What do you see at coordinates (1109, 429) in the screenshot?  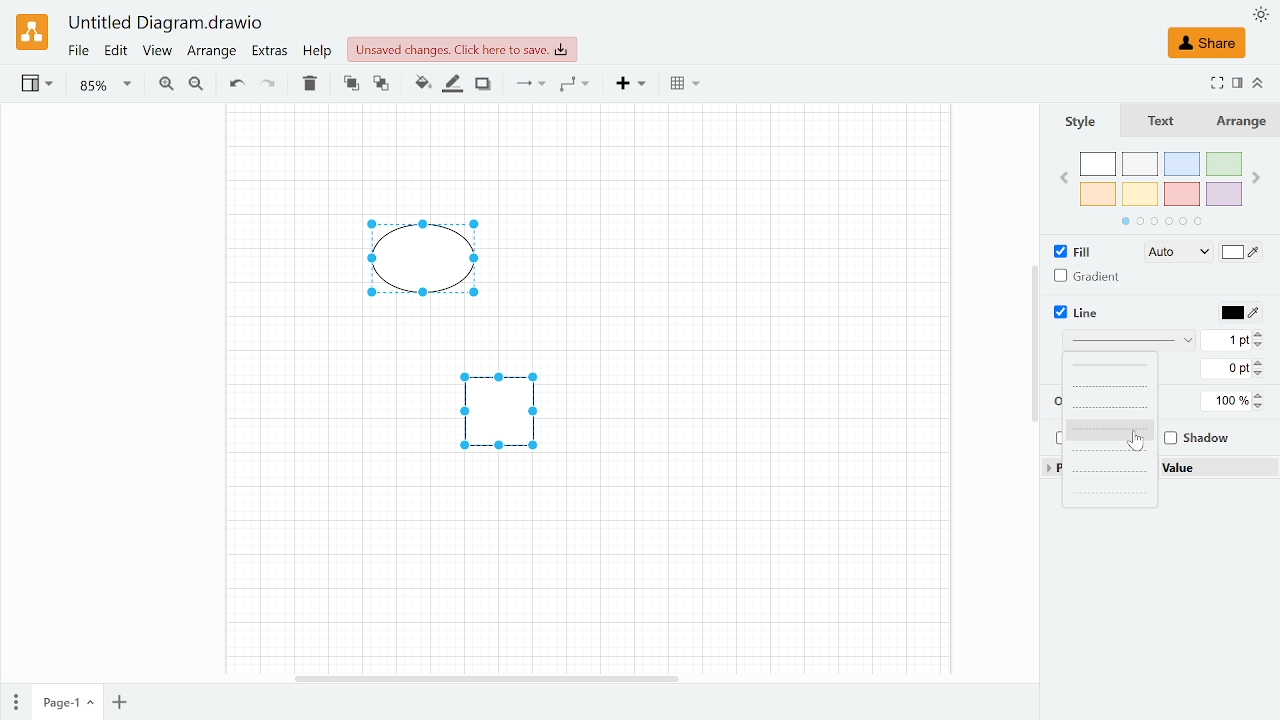 I see `Dashed 3` at bounding box center [1109, 429].